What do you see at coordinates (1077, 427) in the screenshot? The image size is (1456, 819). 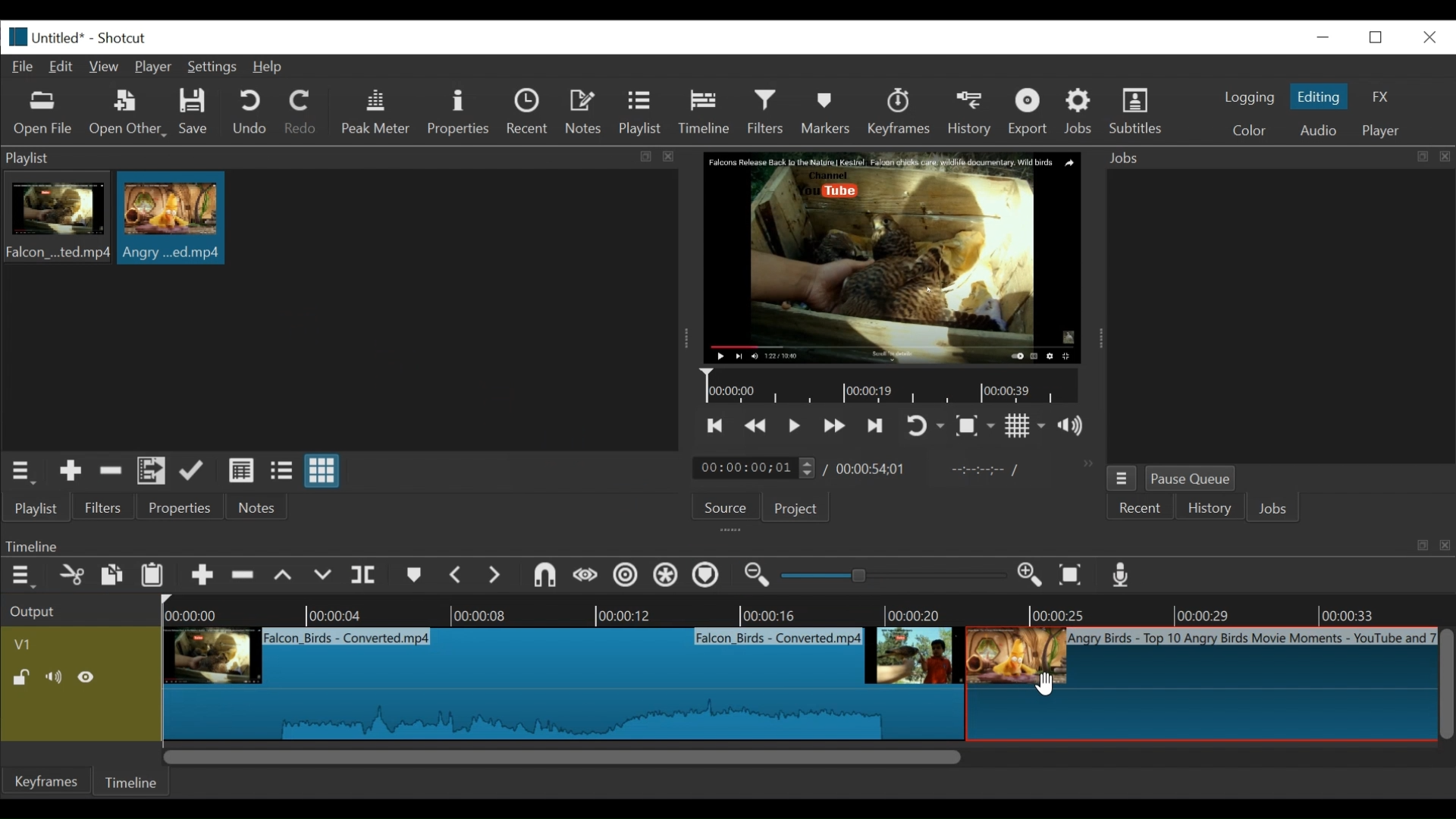 I see `show volume control` at bounding box center [1077, 427].